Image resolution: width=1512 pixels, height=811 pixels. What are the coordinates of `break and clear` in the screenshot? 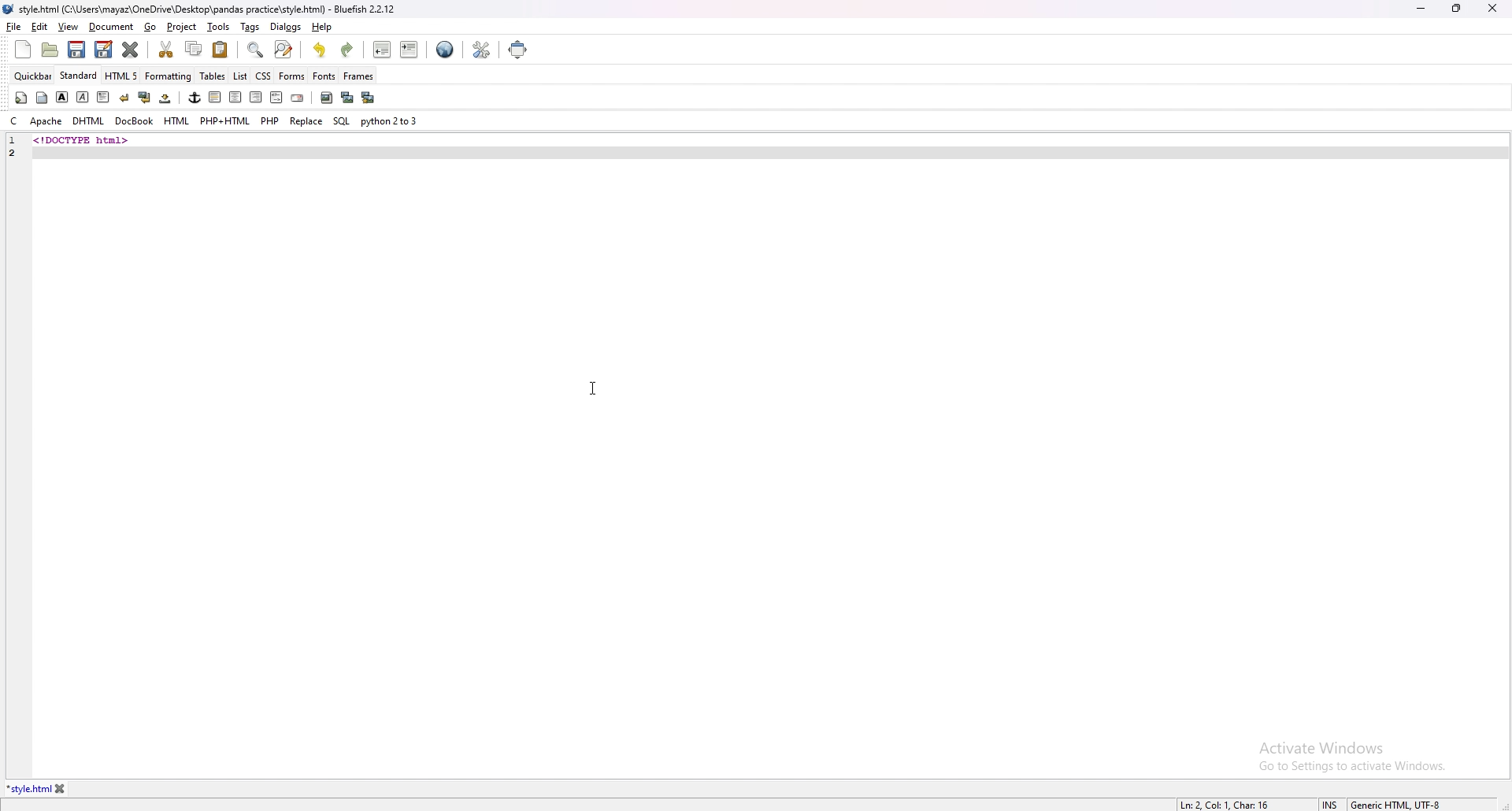 It's located at (143, 98).